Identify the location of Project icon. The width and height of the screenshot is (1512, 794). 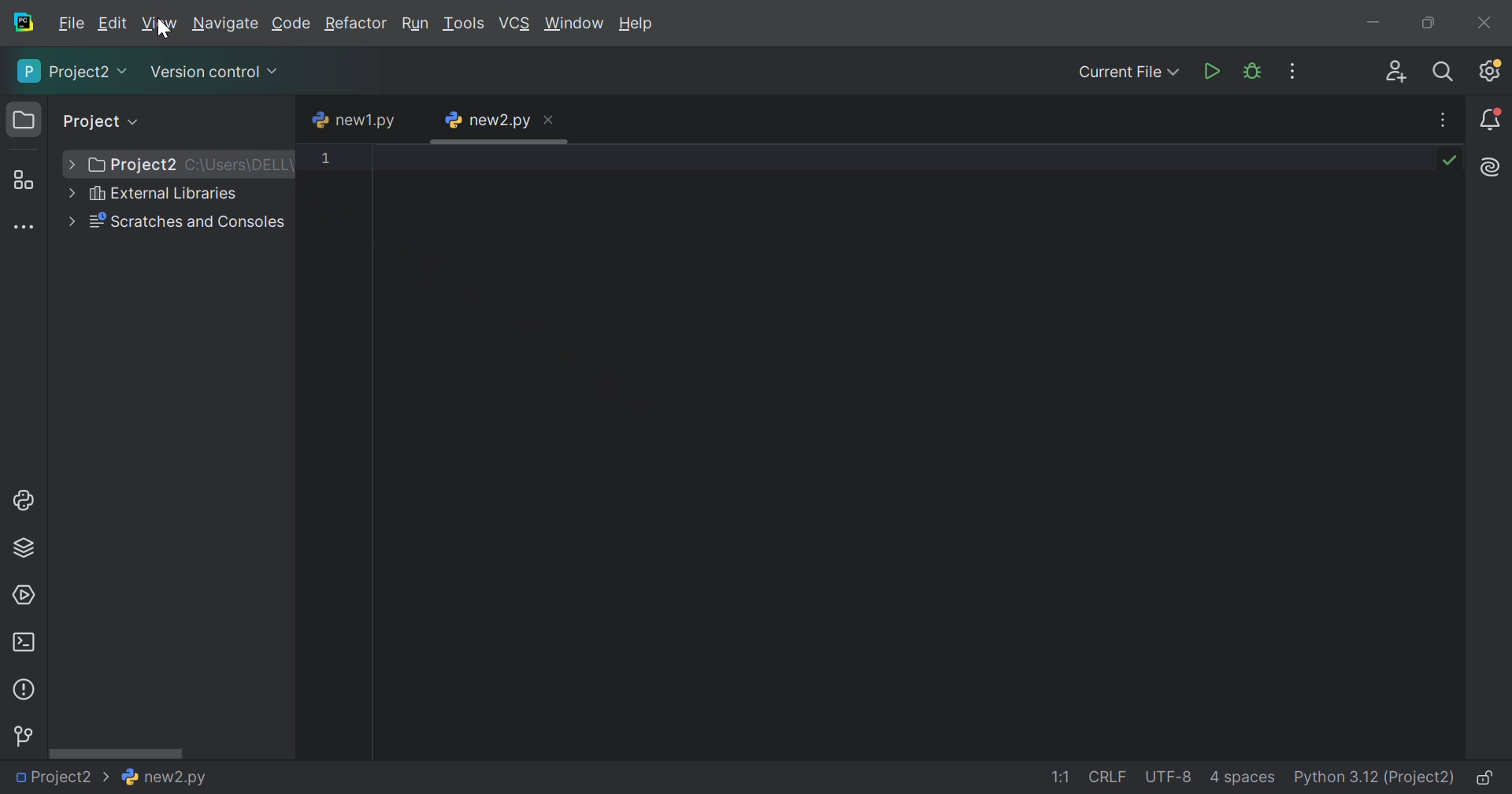
(24, 121).